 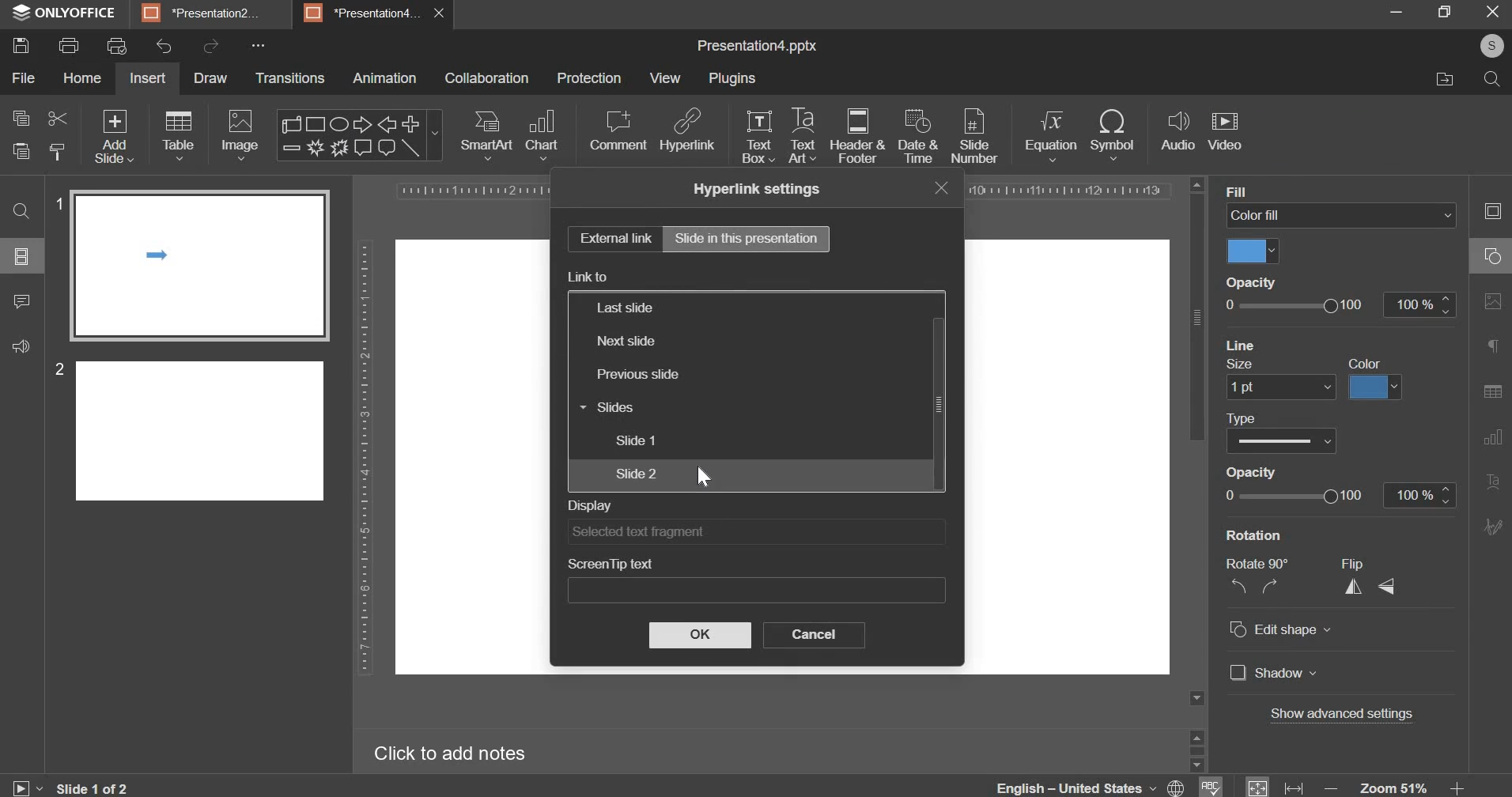 What do you see at coordinates (626, 342) in the screenshot?
I see `next slide` at bounding box center [626, 342].